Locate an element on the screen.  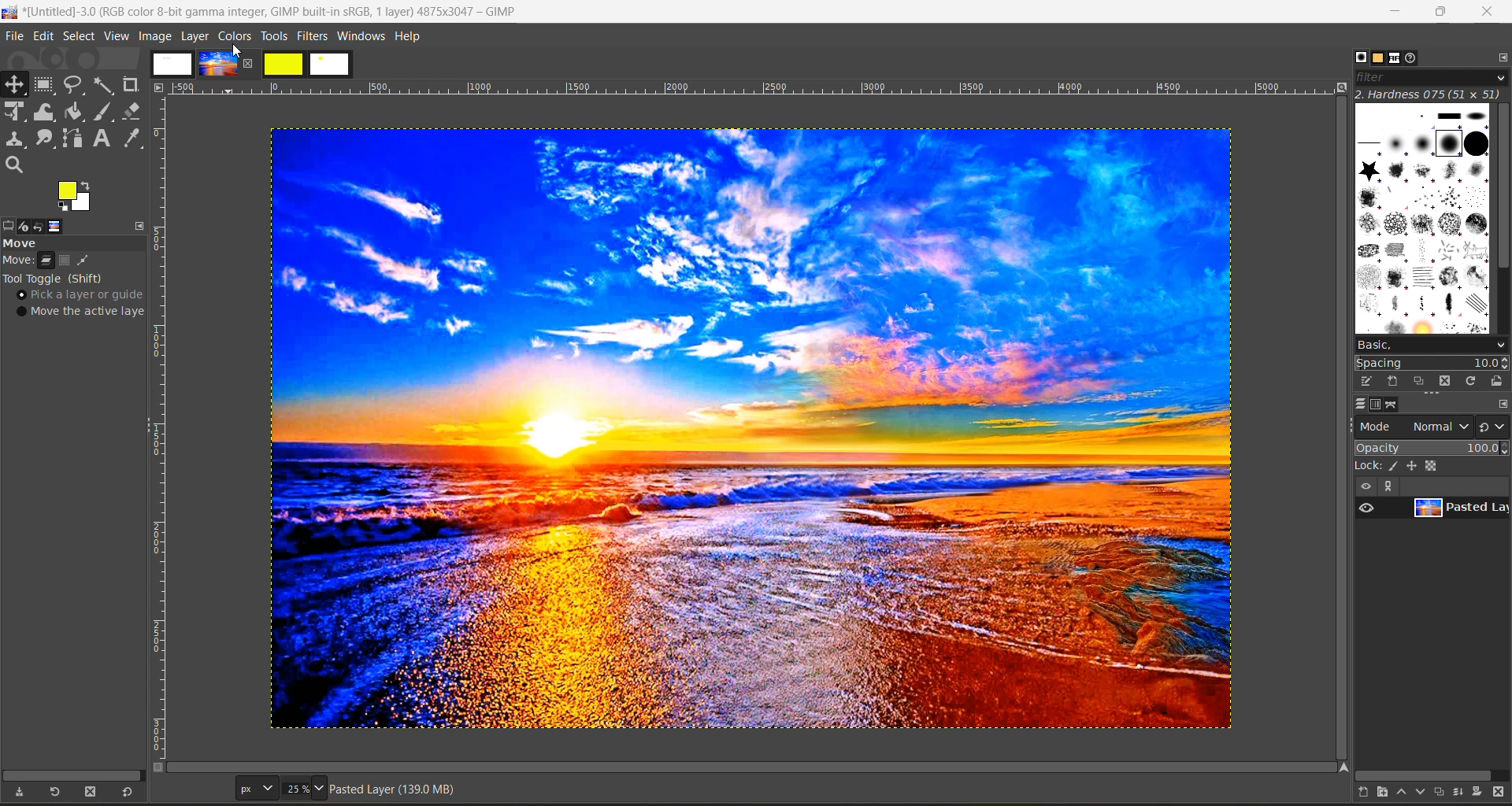
filters is located at coordinates (314, 35).